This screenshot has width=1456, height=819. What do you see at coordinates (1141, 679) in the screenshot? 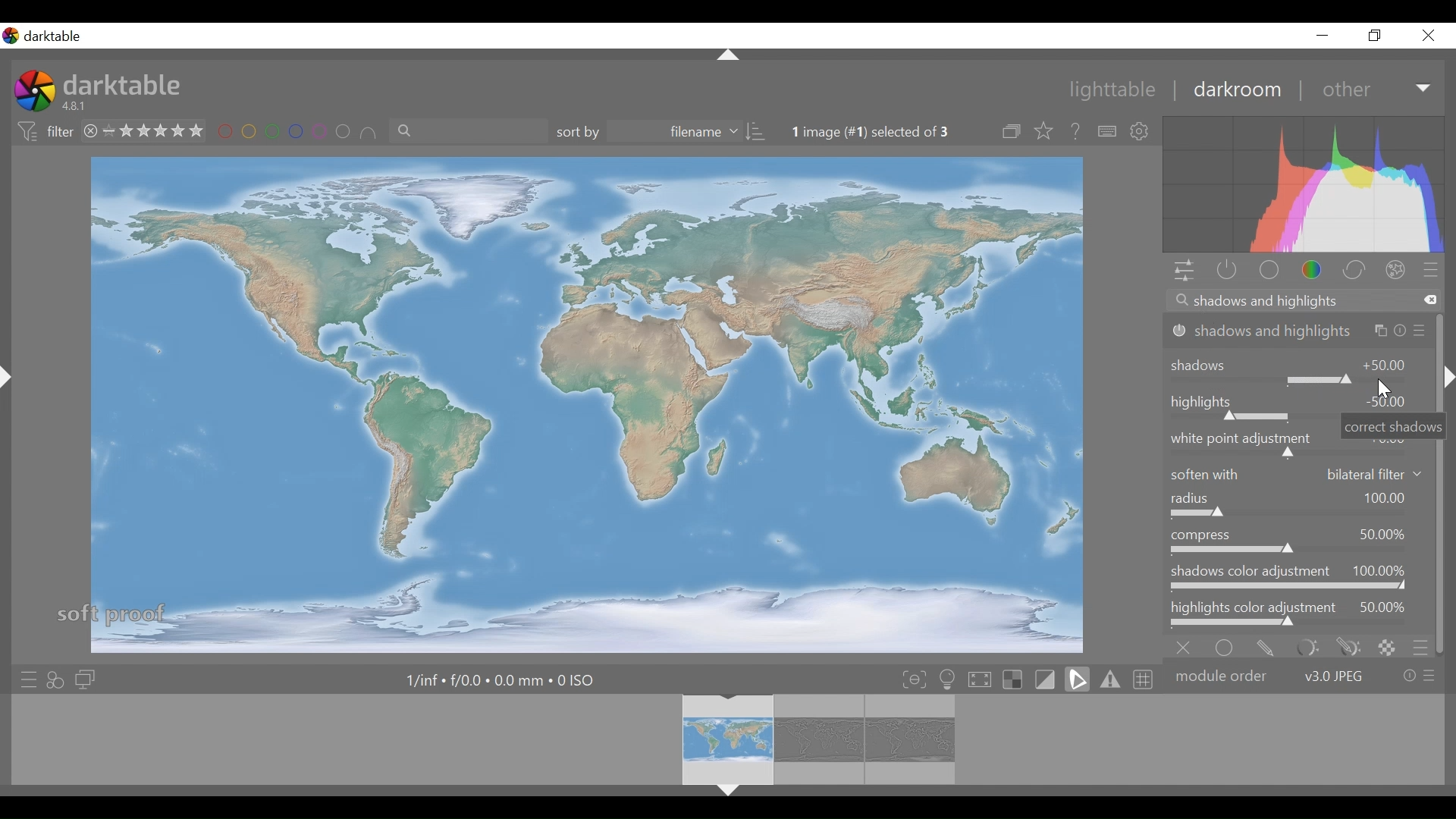
I see `toggle guidelines` at bounding box center [1141, 679].